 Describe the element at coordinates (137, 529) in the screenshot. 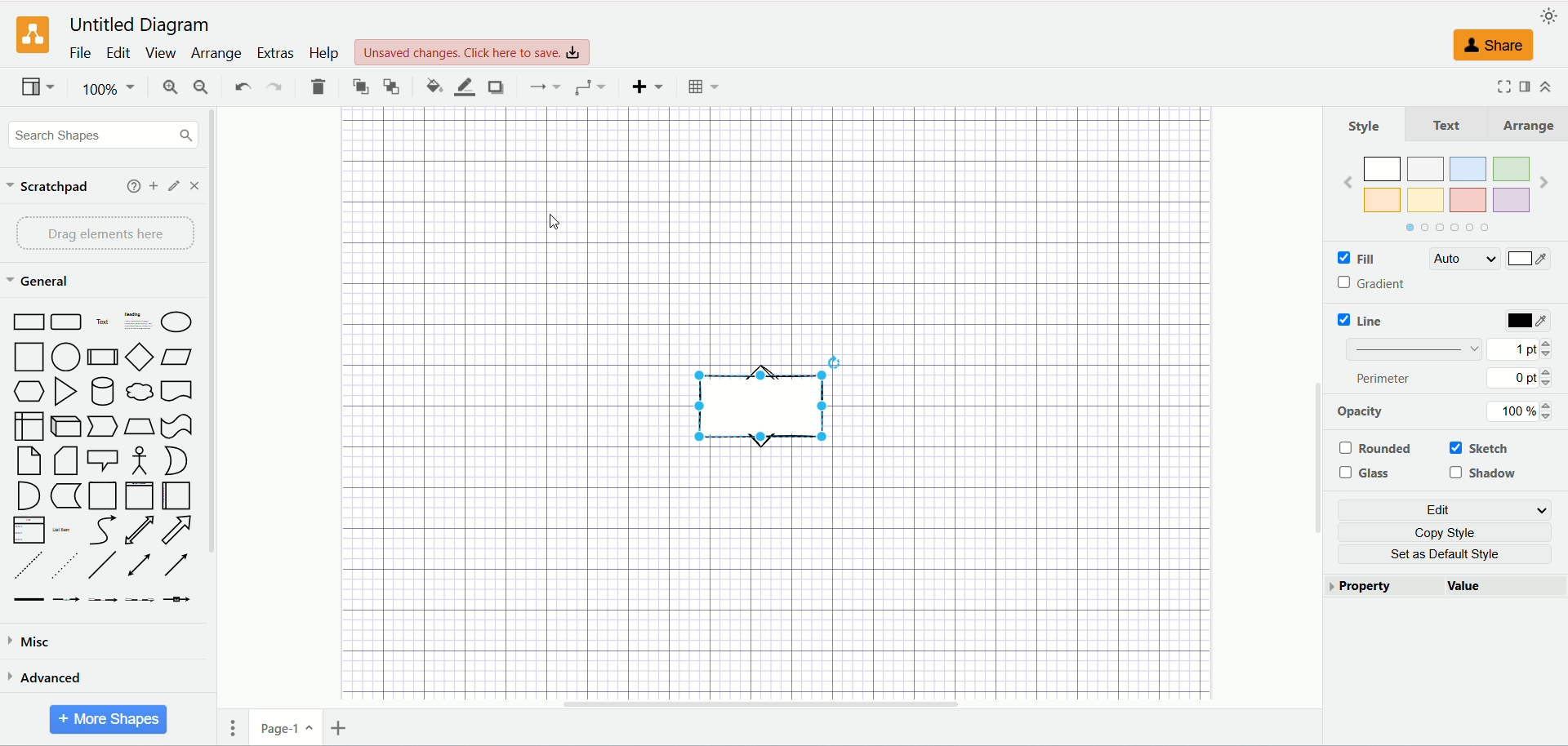

I see `Bidirectional arrow` at that location.